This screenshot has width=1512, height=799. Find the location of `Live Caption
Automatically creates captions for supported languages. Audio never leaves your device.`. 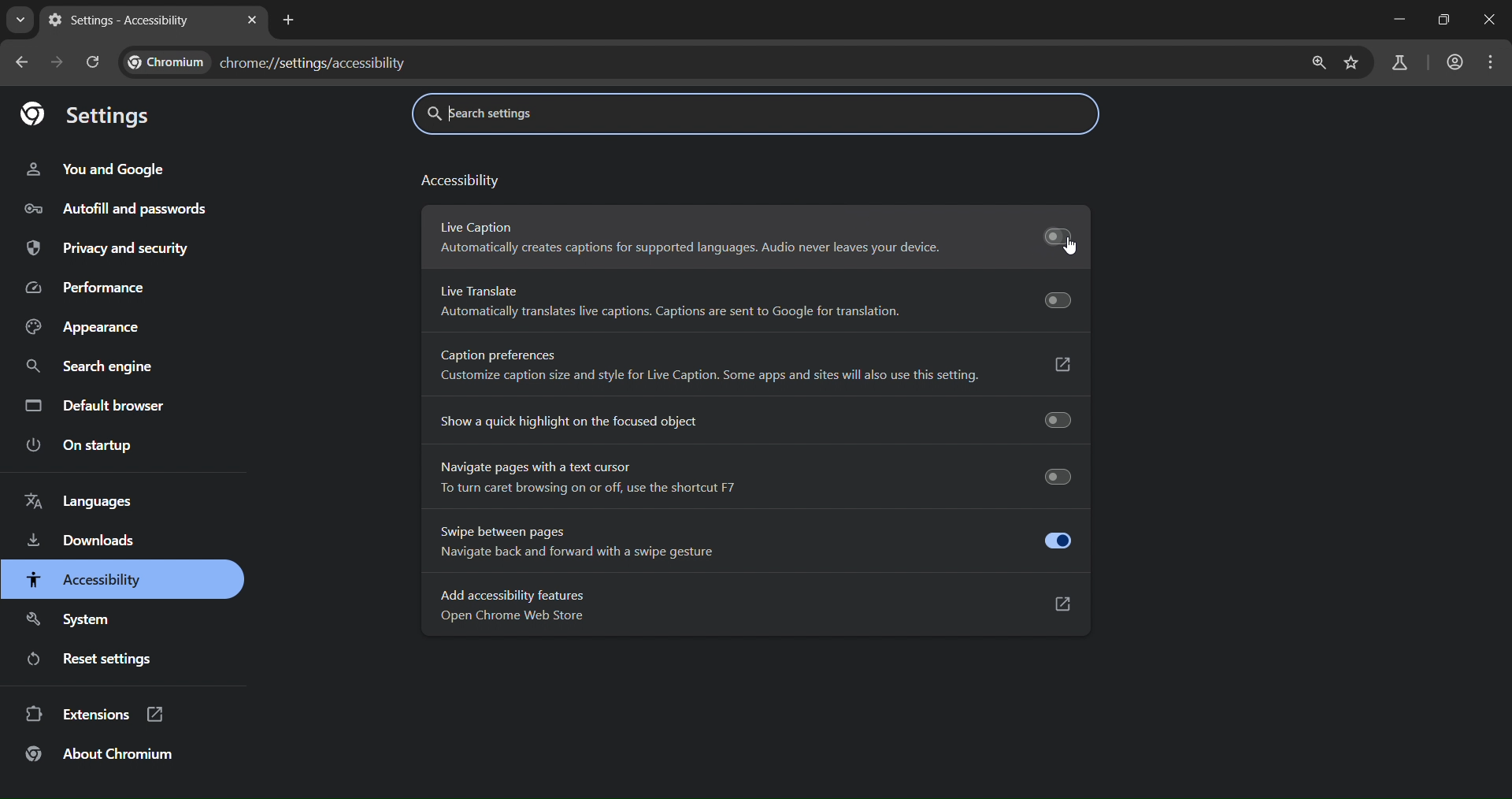

Live Caption
Automatically creates captions for supported languages. Audio never leaves your device. is located at coordinates (753, 236).